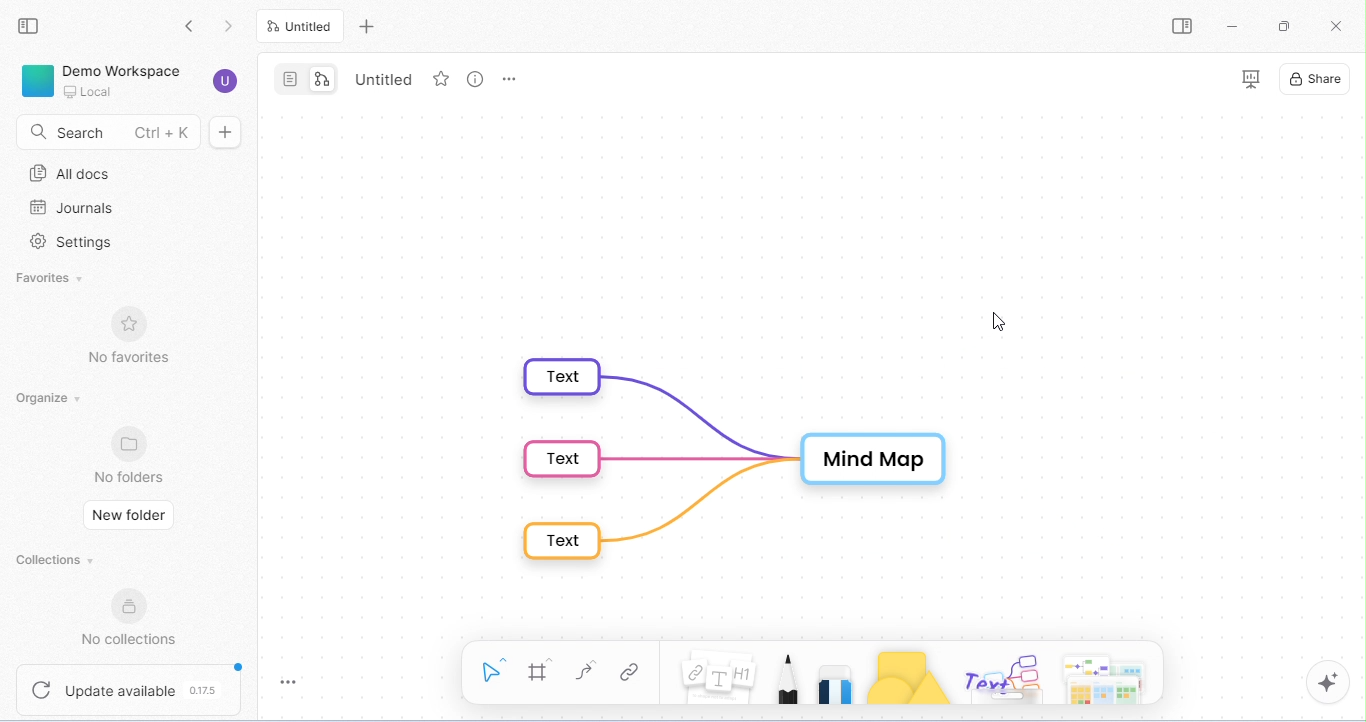 The image size is (1366, 722). Describe the element at coordinates (103, 133) in the screenshot. I see `search` at that location.